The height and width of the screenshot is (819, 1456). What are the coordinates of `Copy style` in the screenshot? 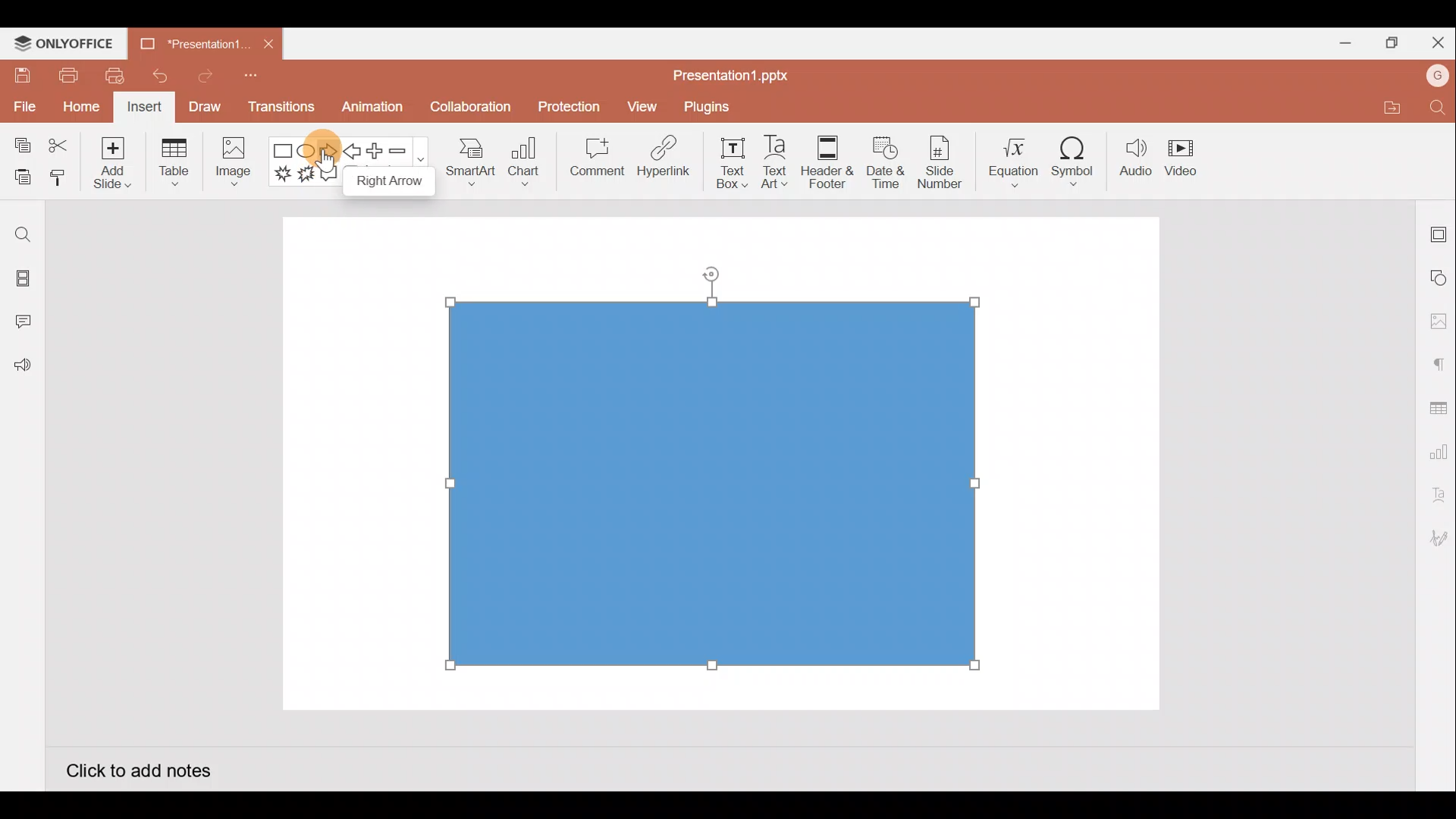 It's located at (59, 180).